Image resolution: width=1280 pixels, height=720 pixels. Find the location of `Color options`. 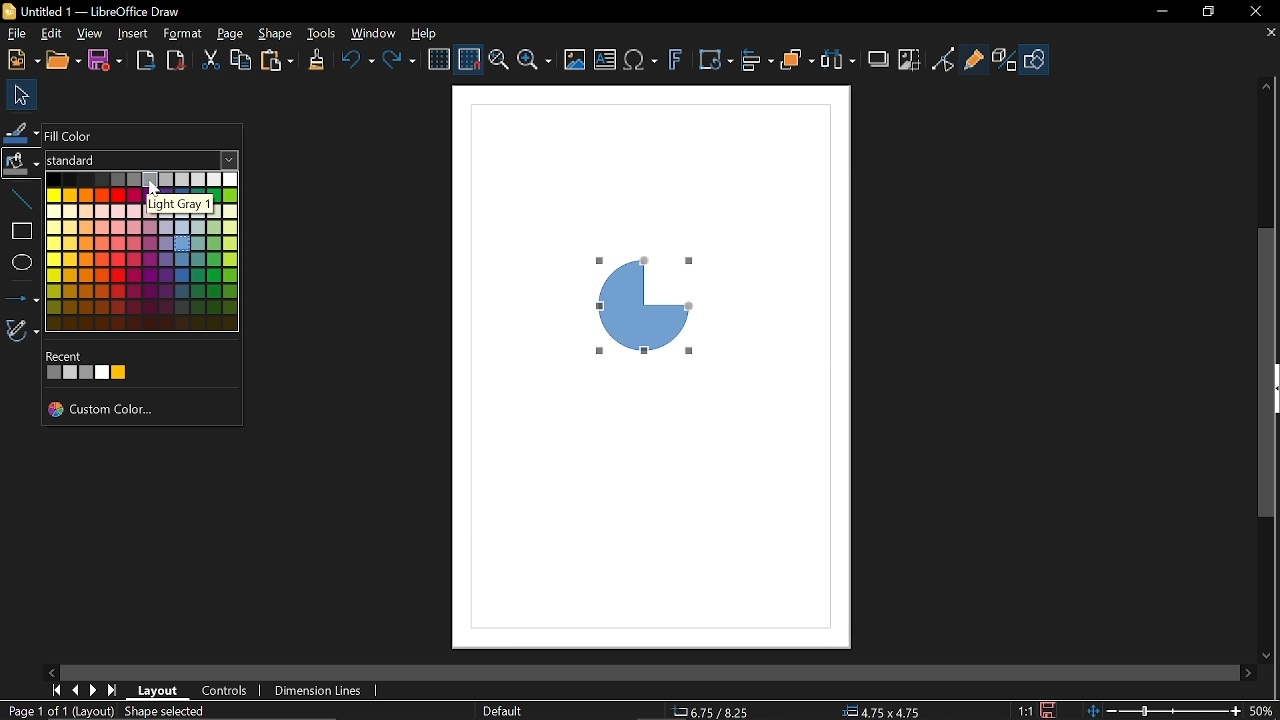

Color options is located at coordinates (145, 250).